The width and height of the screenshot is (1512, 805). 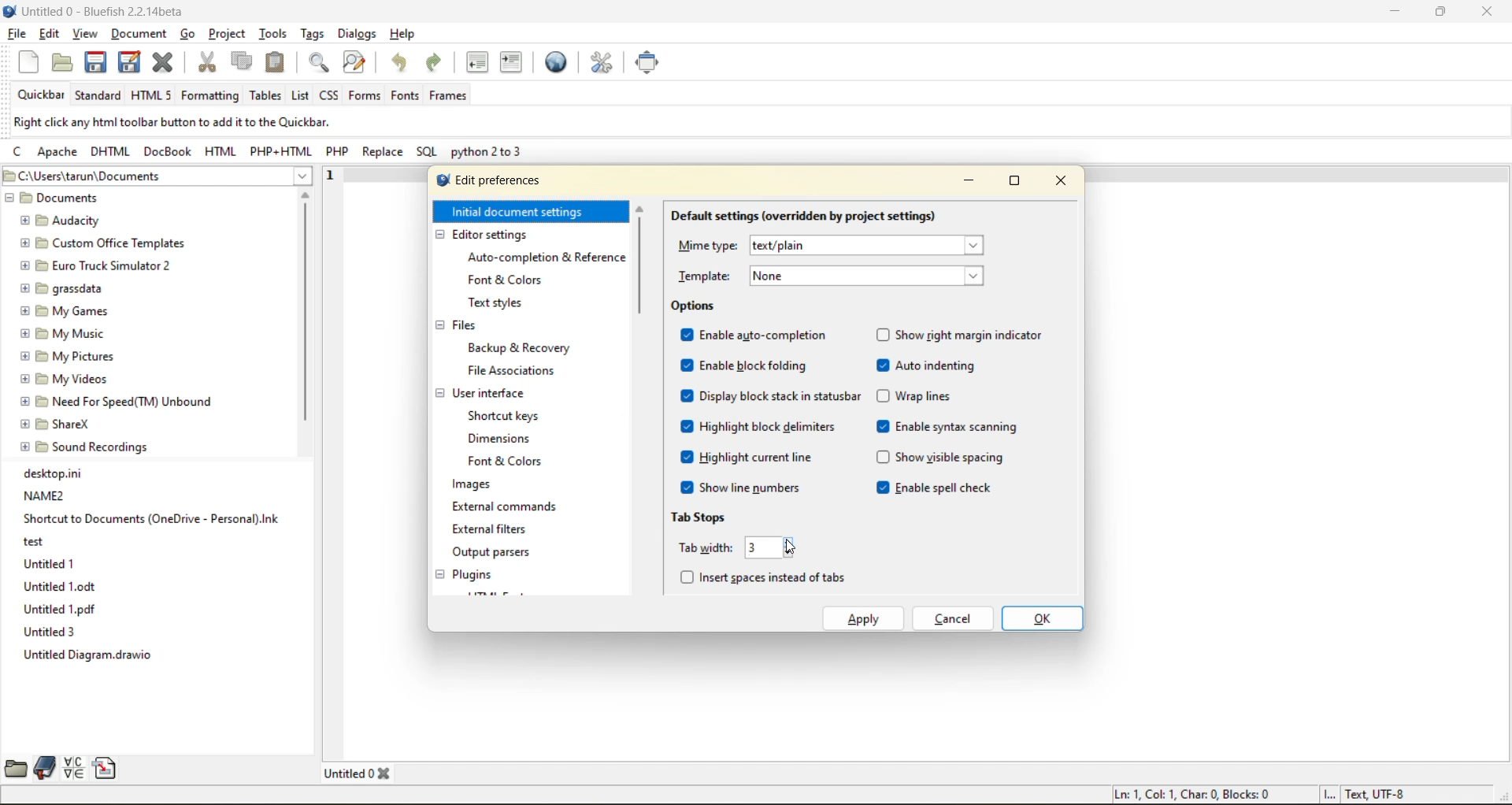 I want to click on documents, so click(x=98, y=199).